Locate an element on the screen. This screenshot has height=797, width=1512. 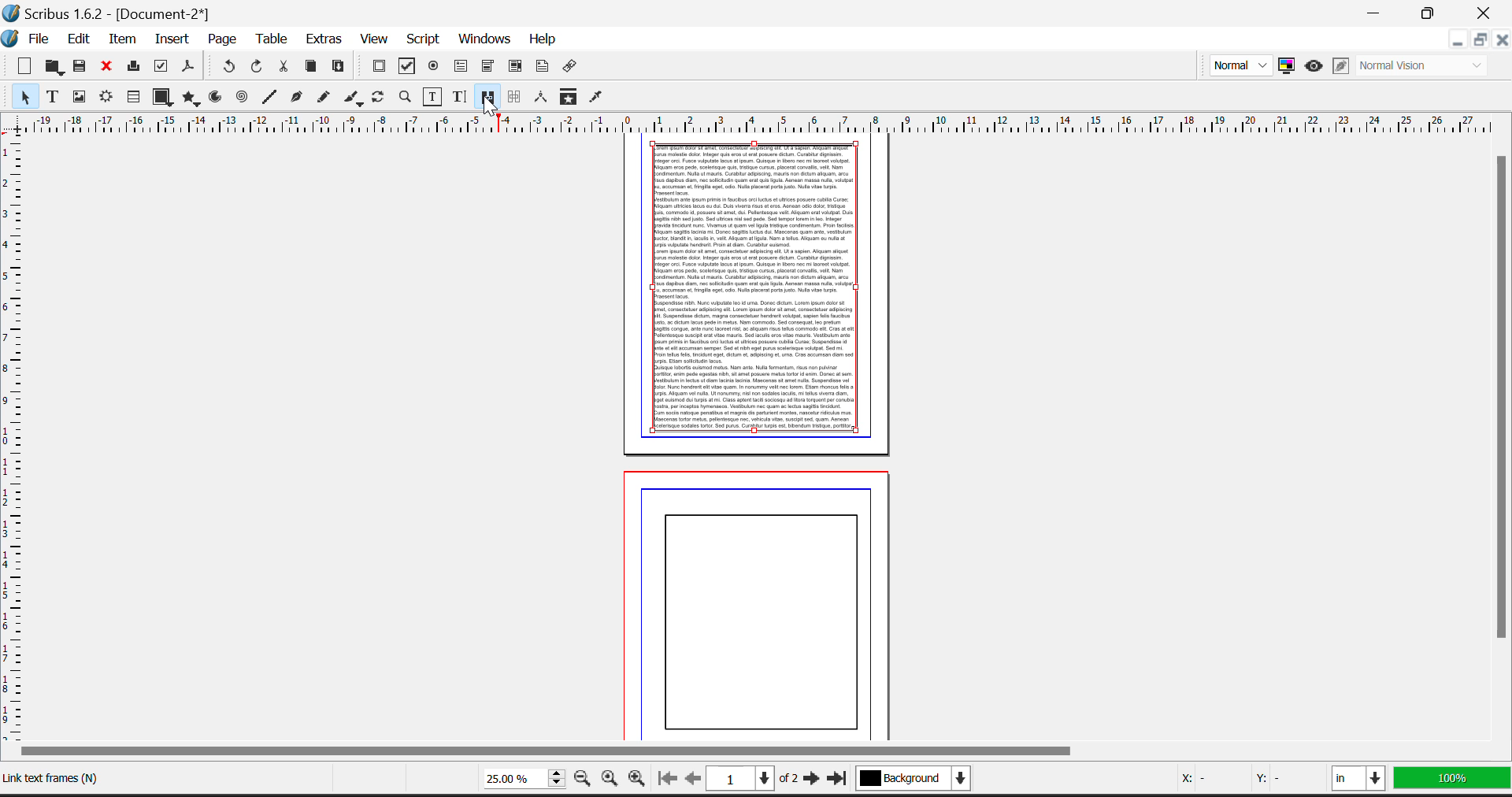
Render Frames is located at coordinates (108, 98).